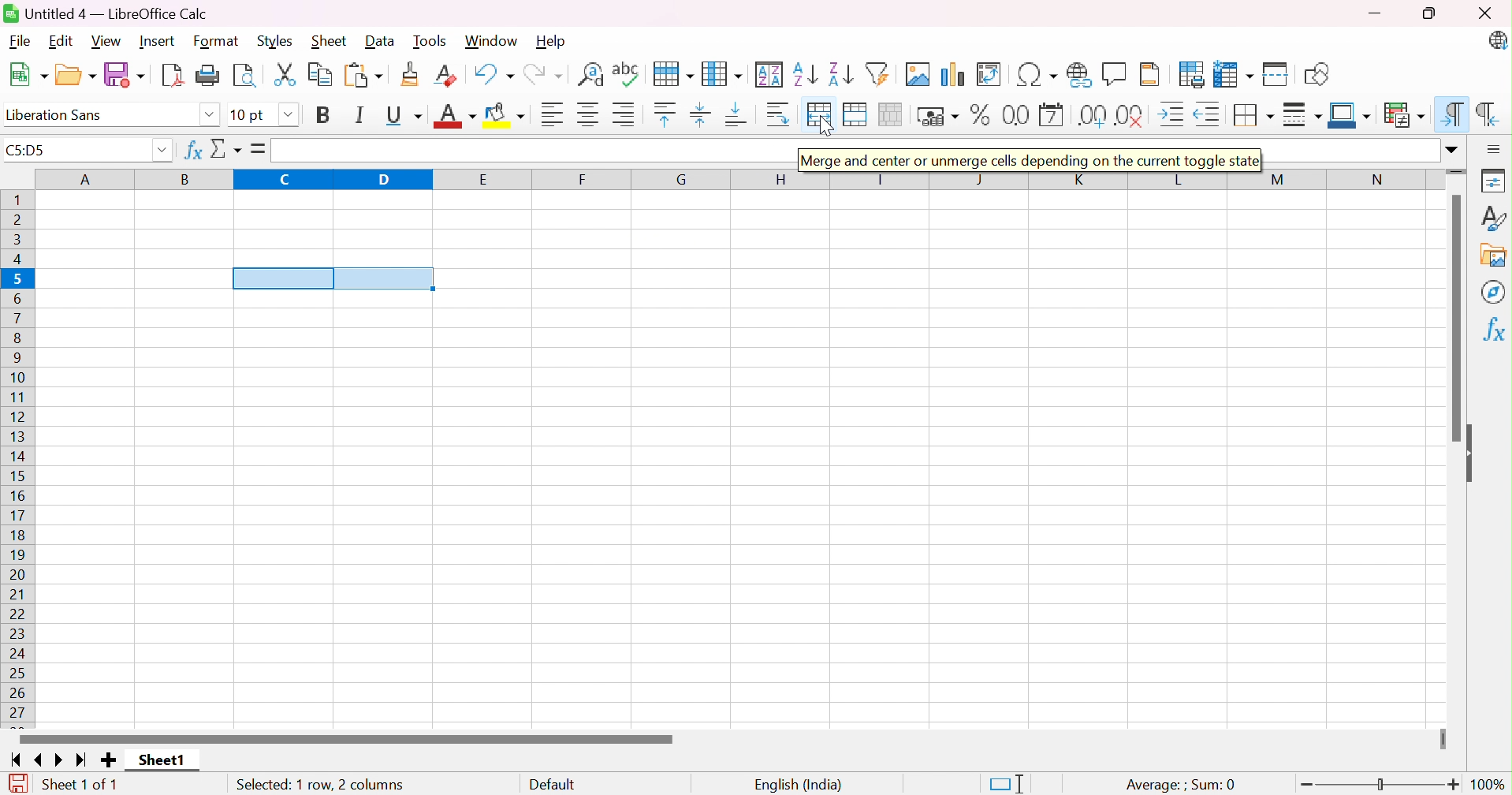 Image resolution: width=1512 pixels, height=795 pixels. What do you see at coordinates (1493, 216) in the screenshot?
I see `Styles` at bounding box center [1493, 216].